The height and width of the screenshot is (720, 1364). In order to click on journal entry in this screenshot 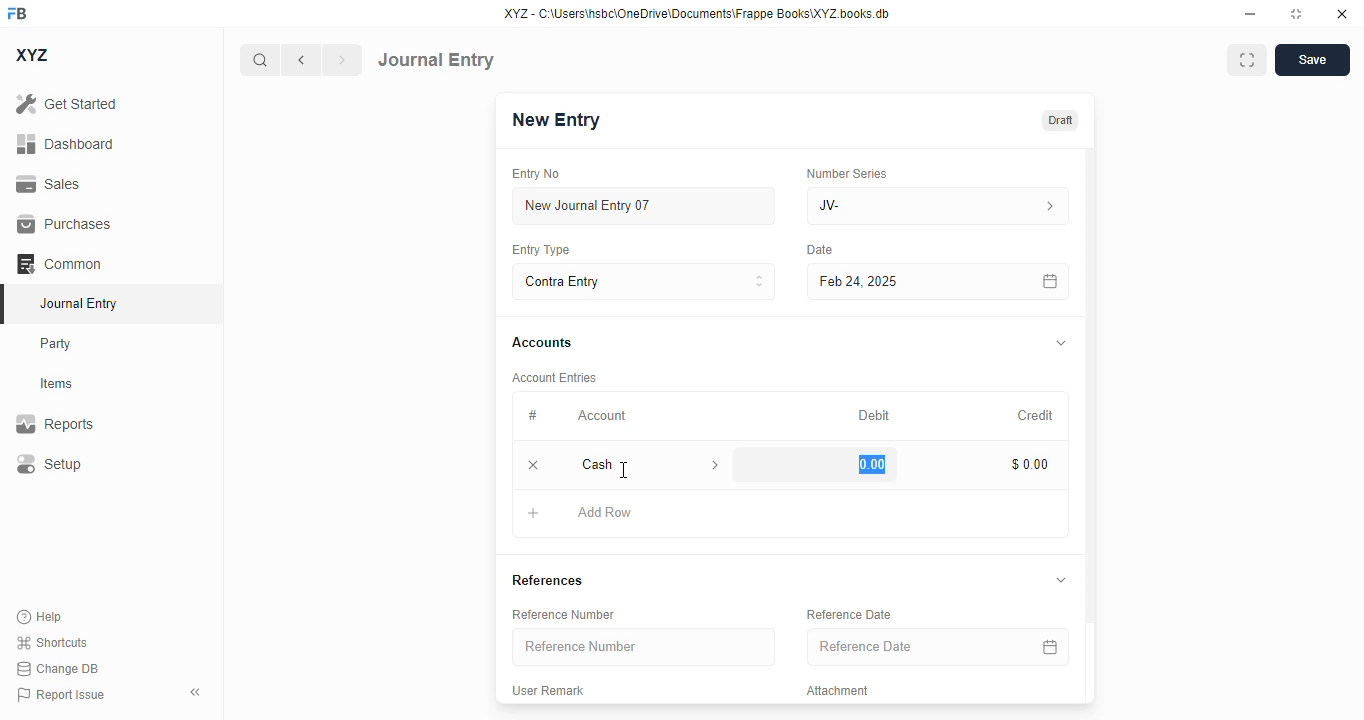, I will do `click(436, 60)`.